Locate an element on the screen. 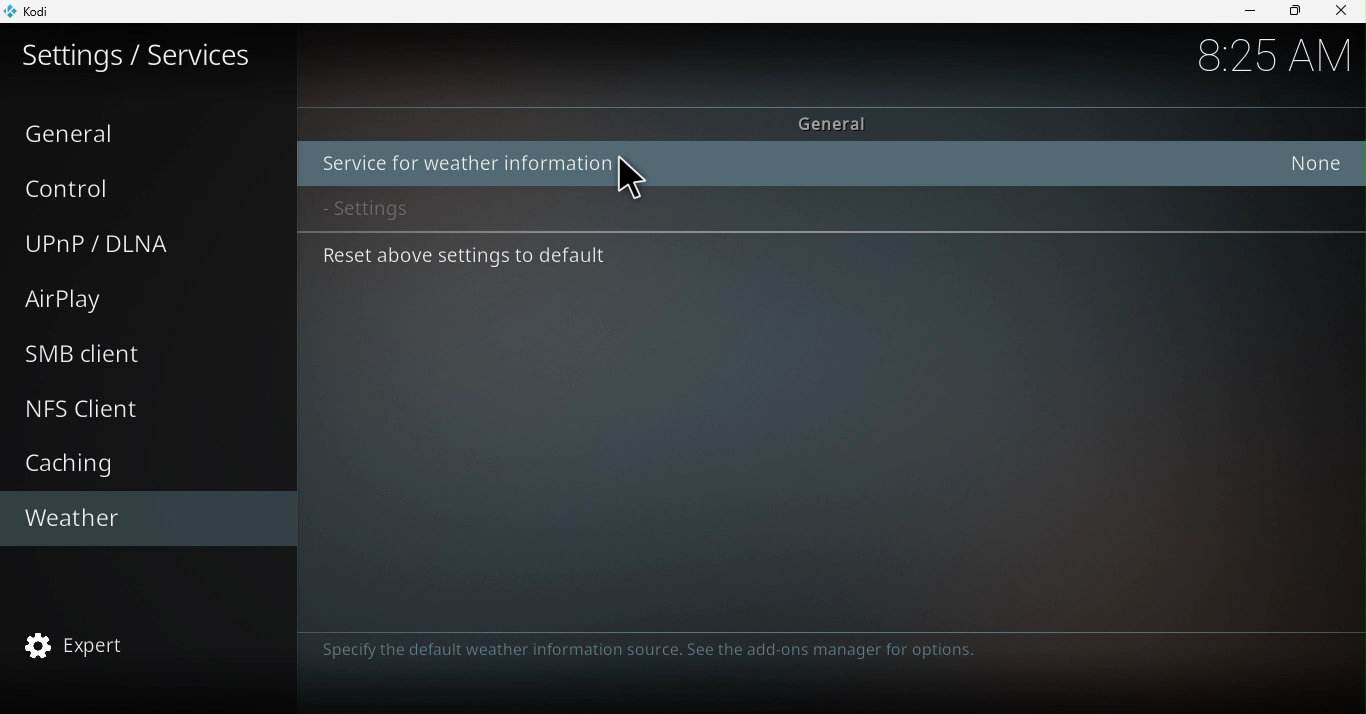  Caching is located at coordinates (141, 463).